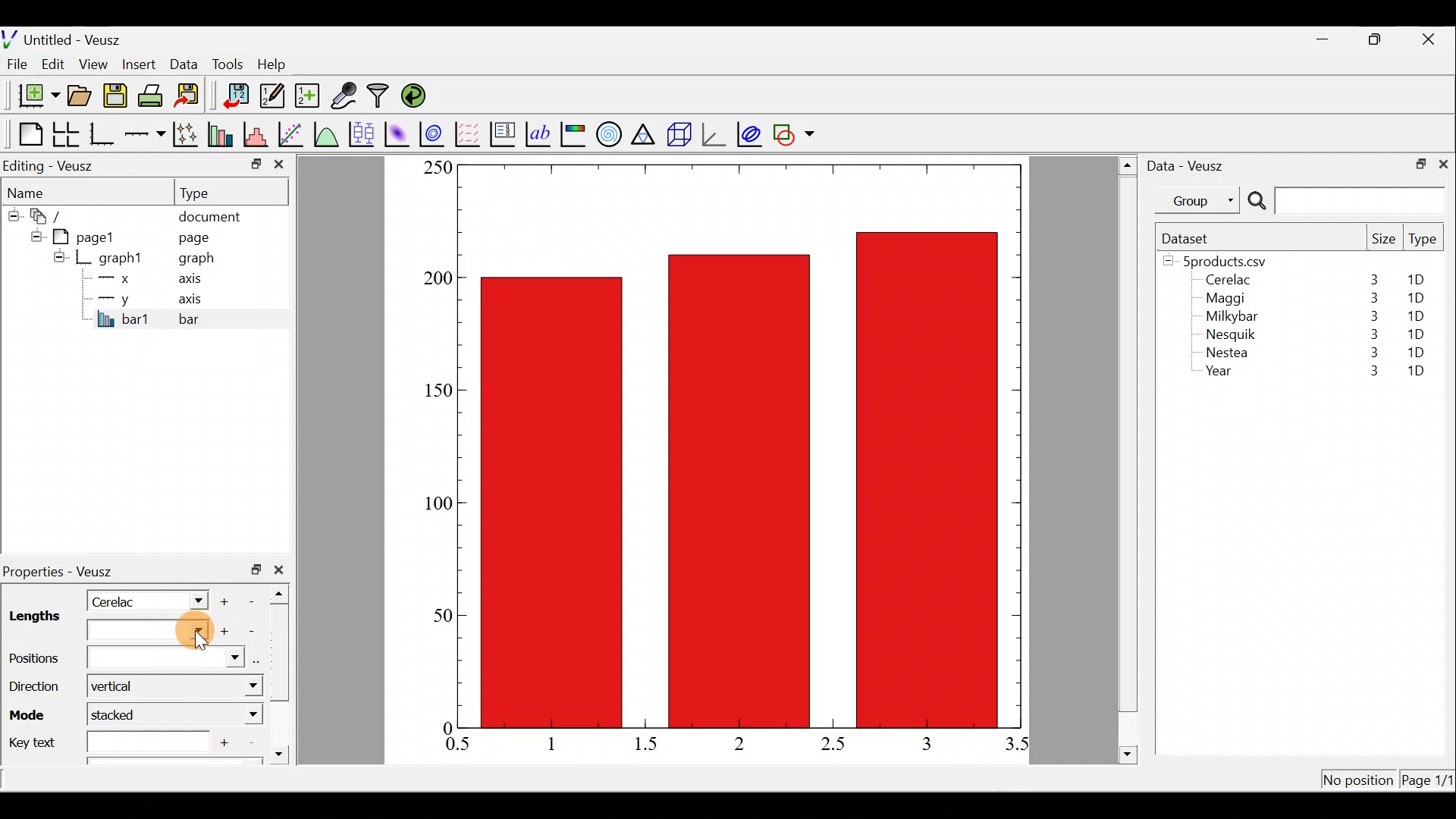 Image resolution: width=1456 pixels, height=819 pixels. Describe the element at coordinates (1225, 281) in the screenshot. I see `Cerelac` at that location.